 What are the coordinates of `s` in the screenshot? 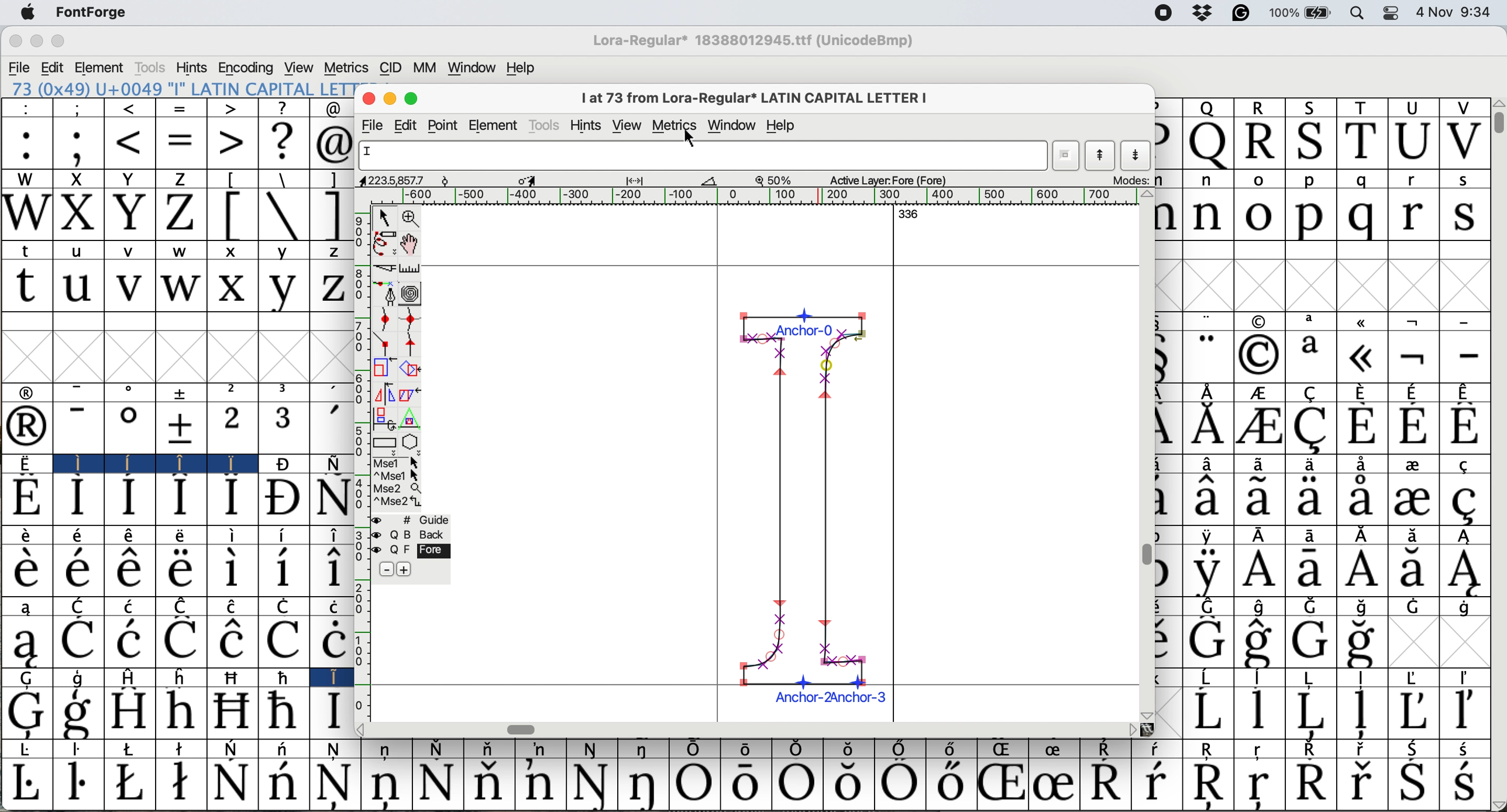 It's located at (1466, 181).